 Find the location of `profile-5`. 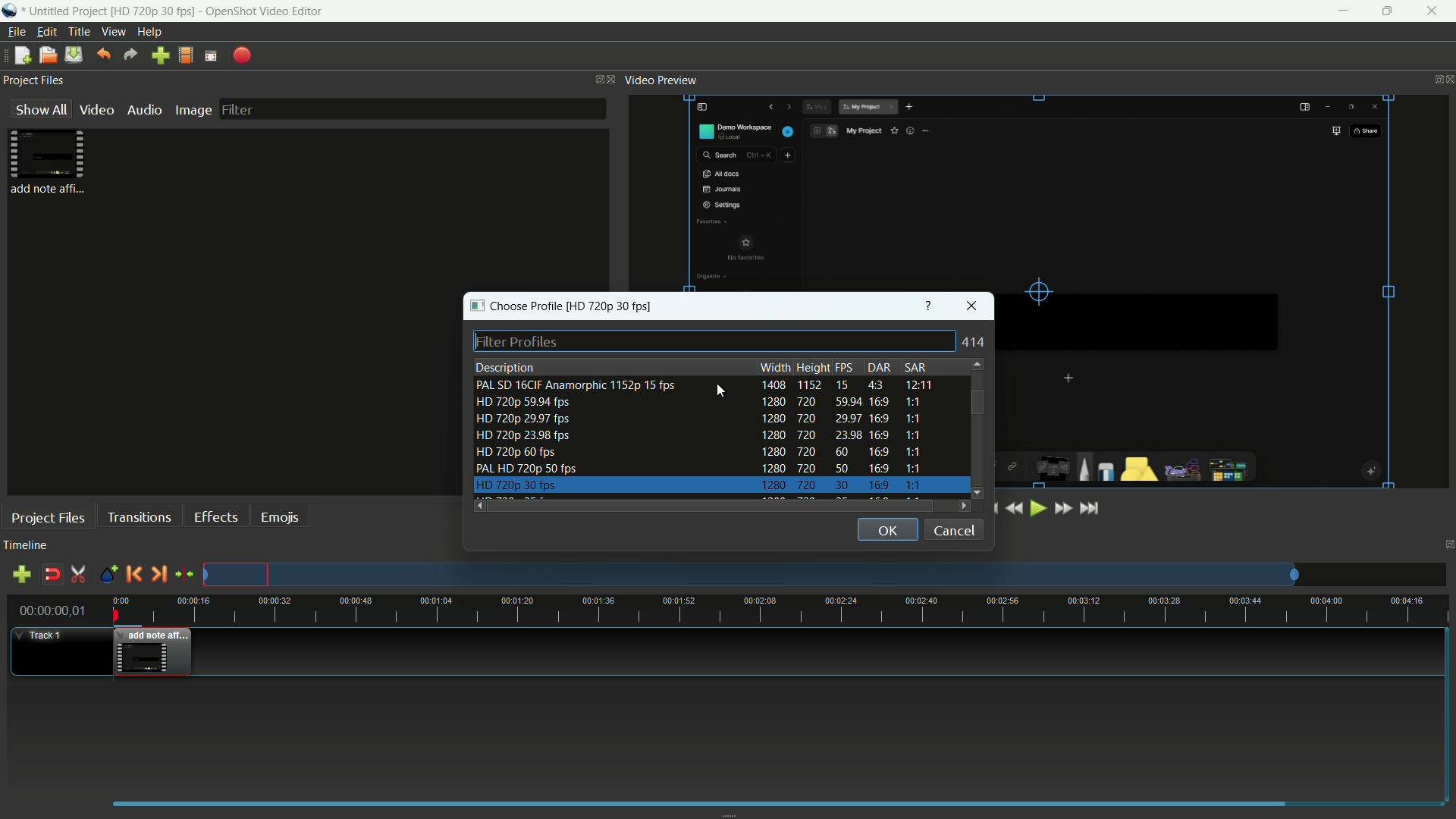

profile-5 is located at coordinates (701, 452).